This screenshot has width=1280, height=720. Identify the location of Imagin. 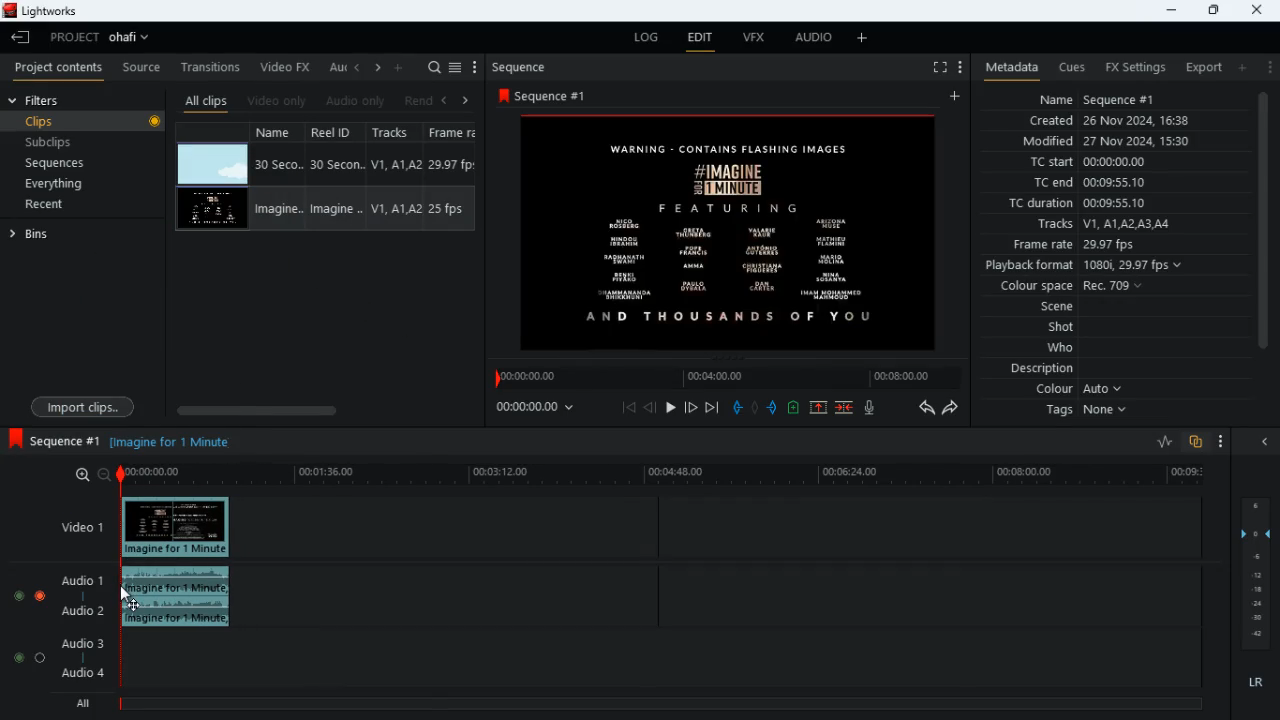
(334, 209).